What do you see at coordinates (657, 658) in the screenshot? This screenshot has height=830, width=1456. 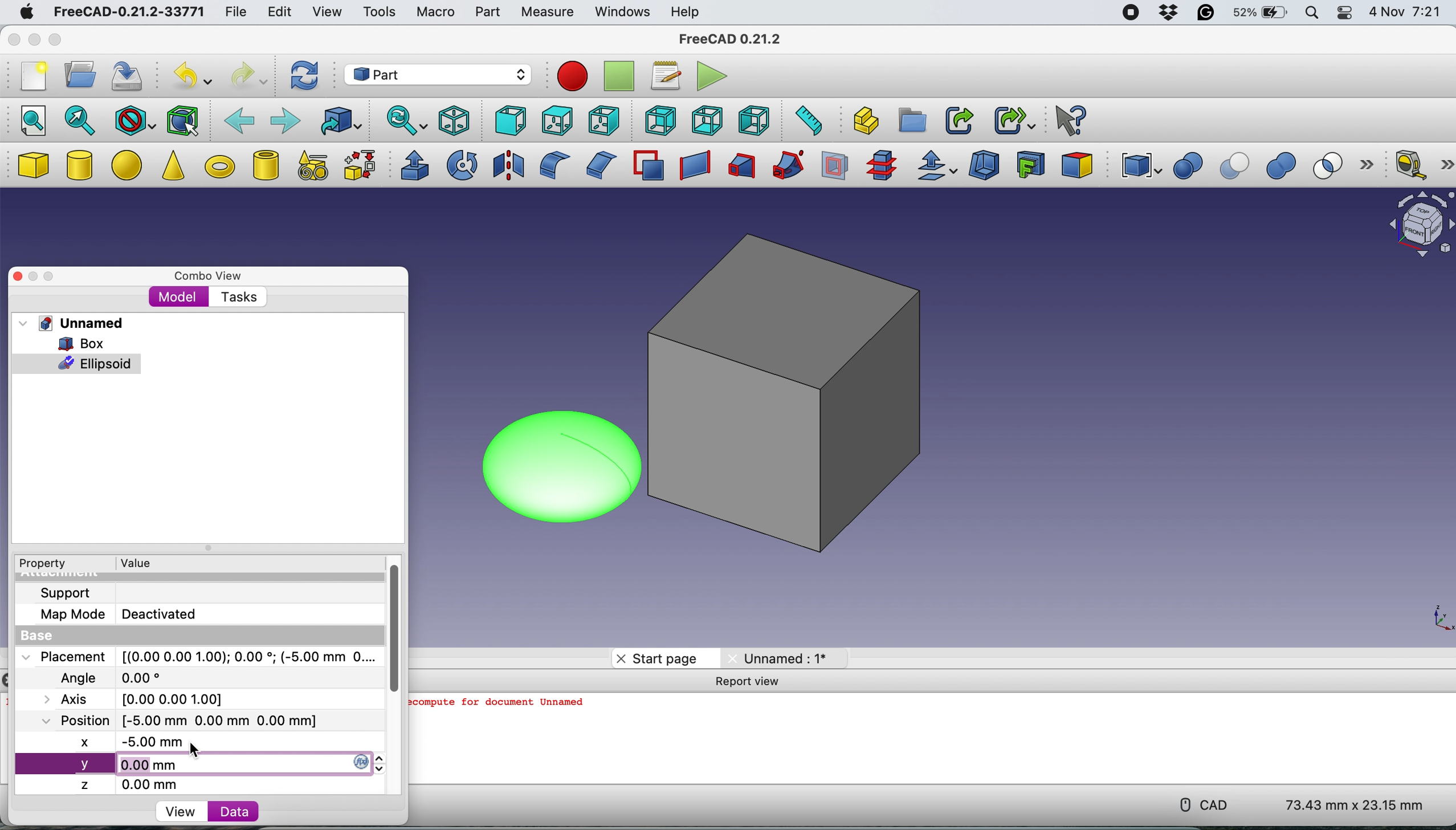 I see `start page` at bounding box center [657, 658].